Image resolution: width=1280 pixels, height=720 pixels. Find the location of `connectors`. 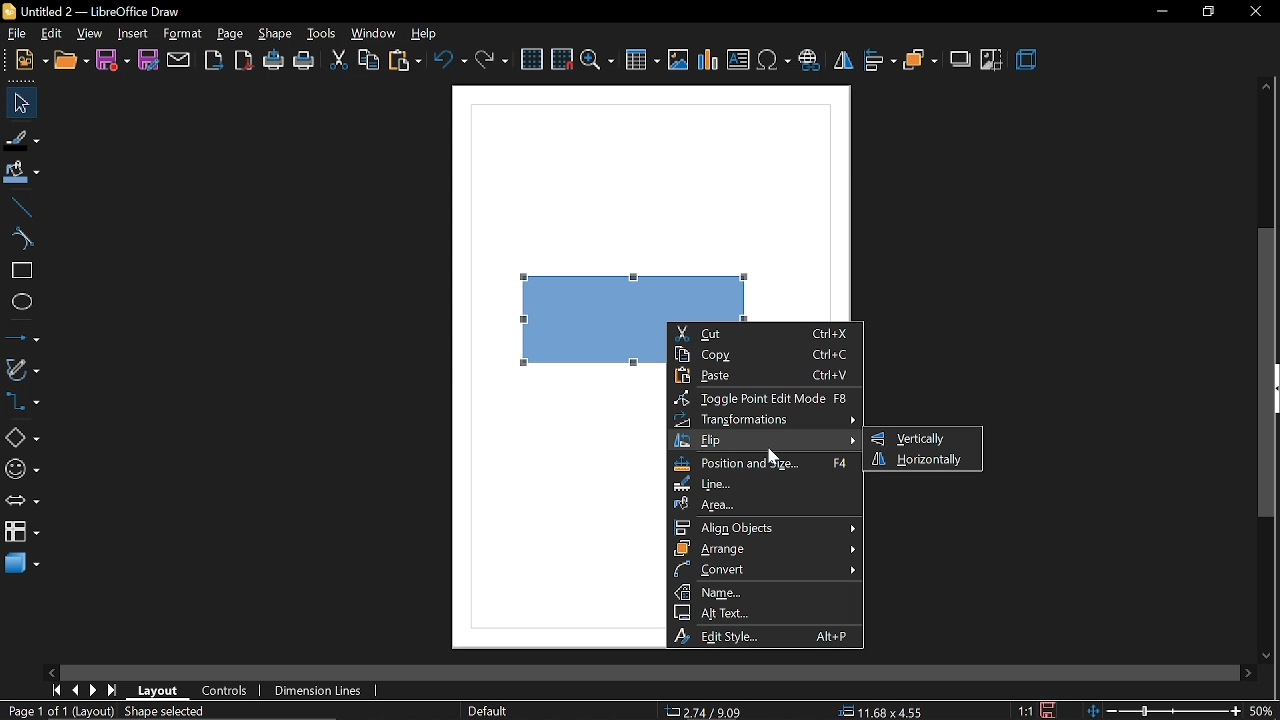

connectors is located at coordinates (22, 401).